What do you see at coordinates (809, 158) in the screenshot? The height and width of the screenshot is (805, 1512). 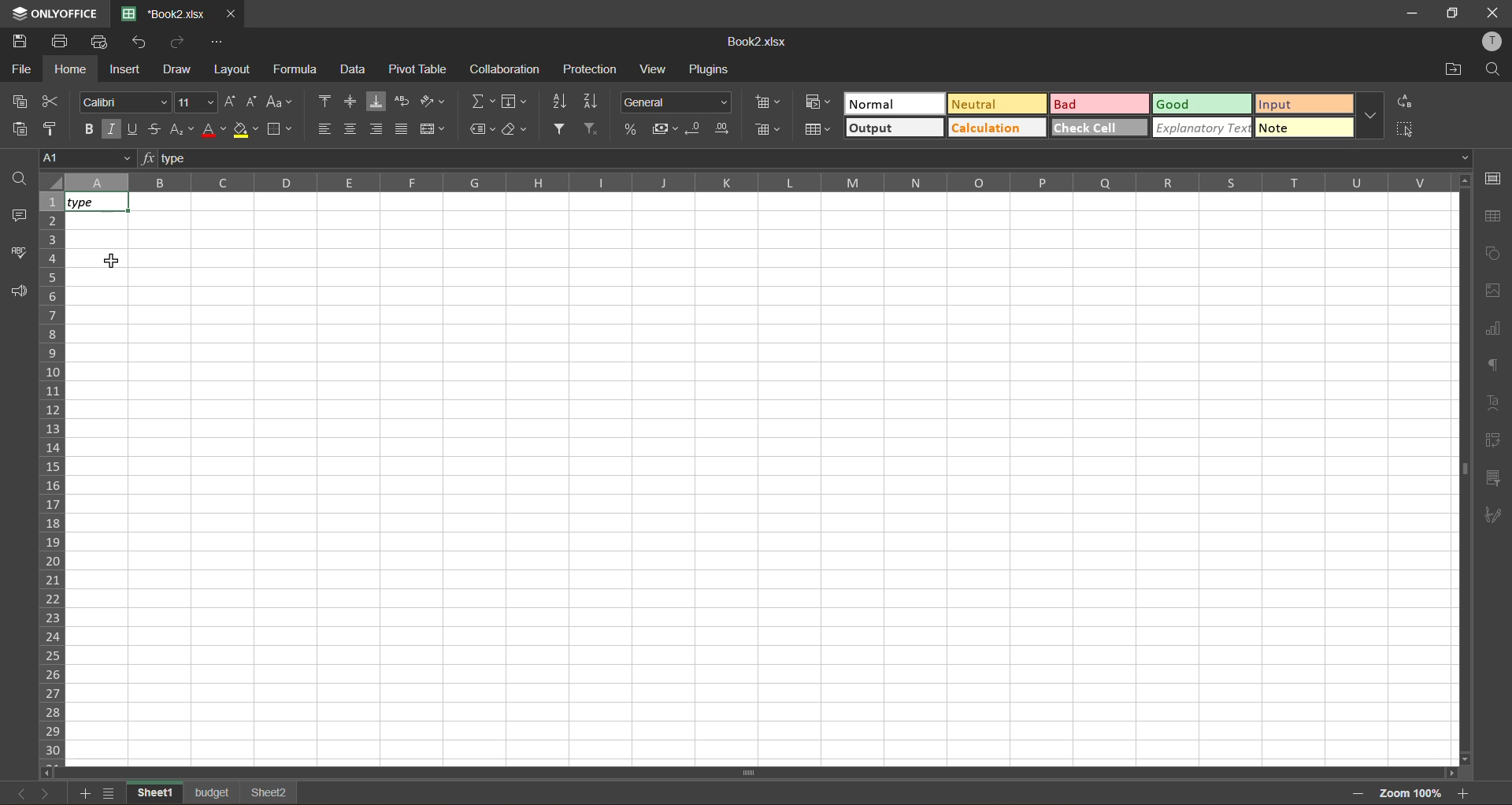 I see `formula bar` at bounding box center [809, 158].